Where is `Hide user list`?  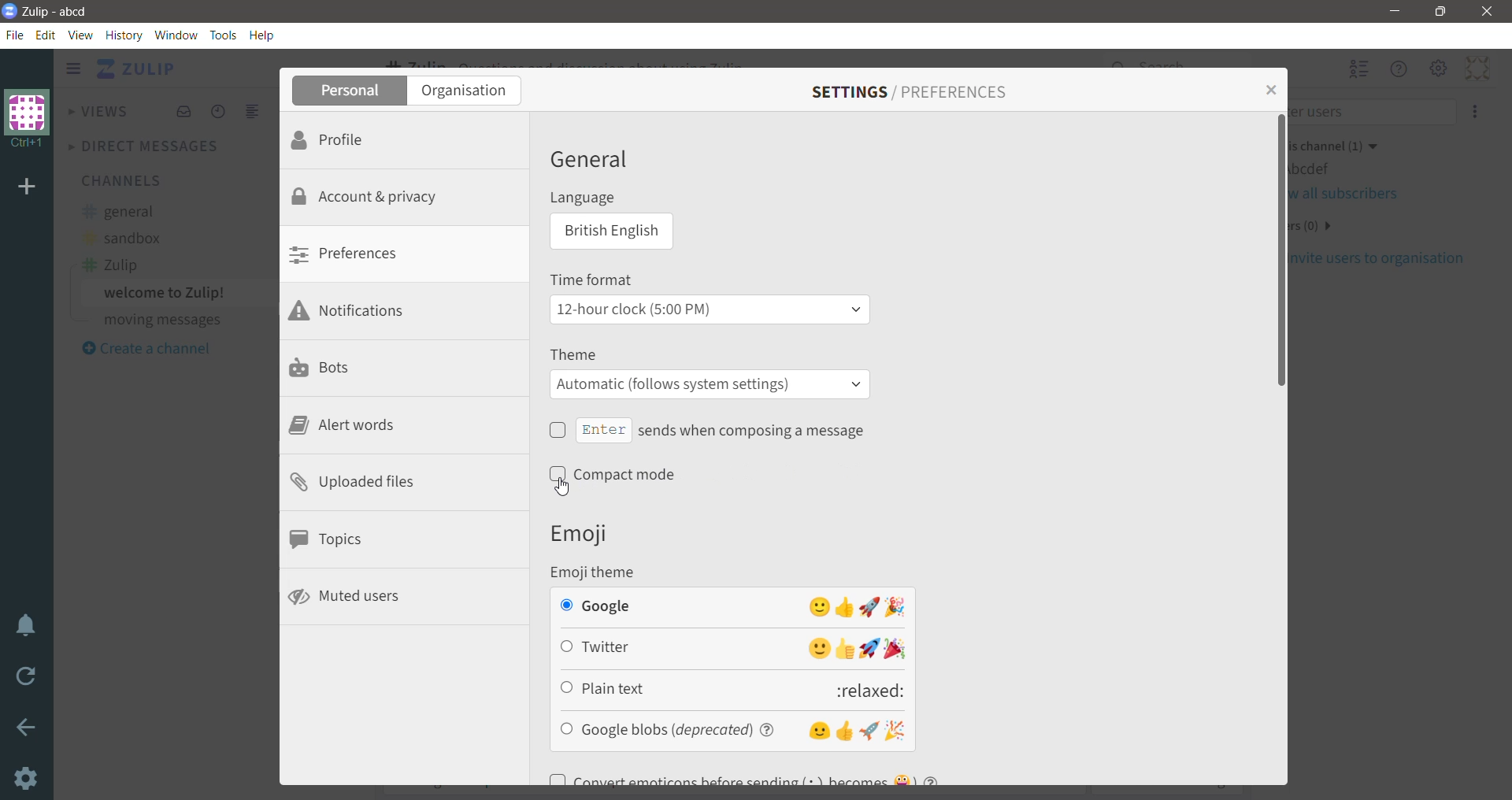 Hide user list is located at coordinates (1358, 70).